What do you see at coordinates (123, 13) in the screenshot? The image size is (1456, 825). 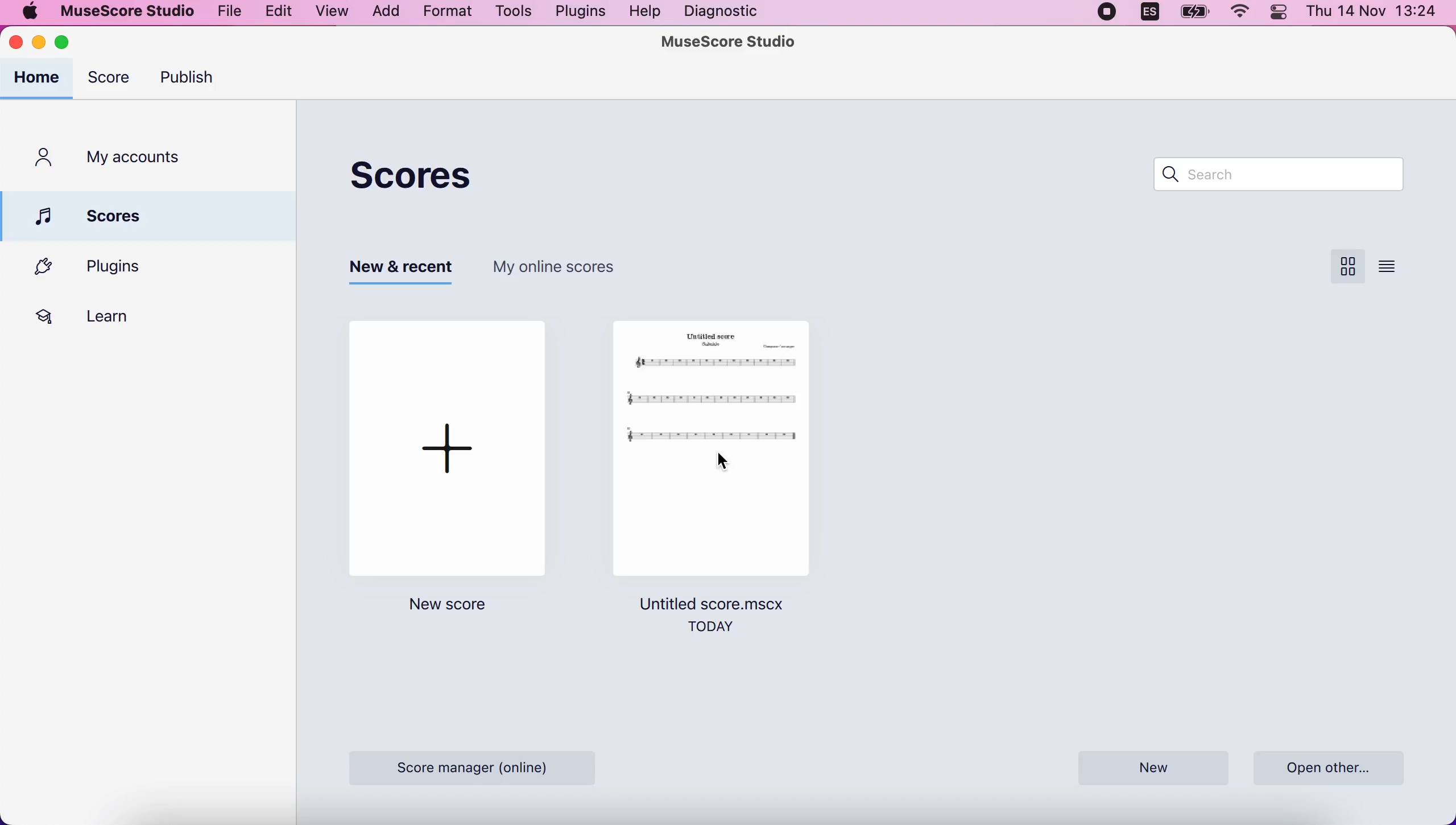 I see `musescore studio` at bounding box center [123, 13].